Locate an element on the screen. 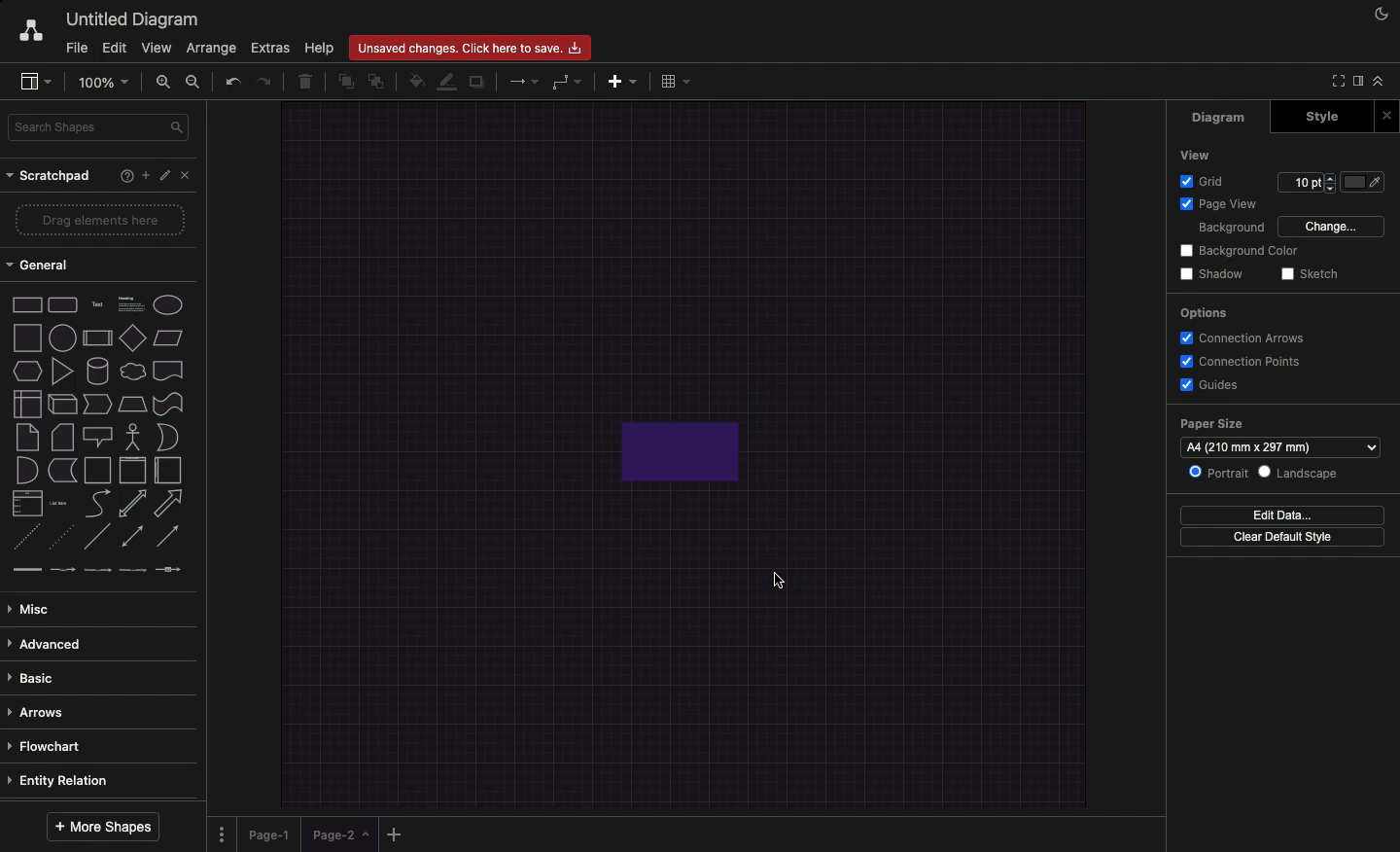 Image resolution: width=1400 pixels, height=852 pixels. More shapes is located at coordinates (105, 823).